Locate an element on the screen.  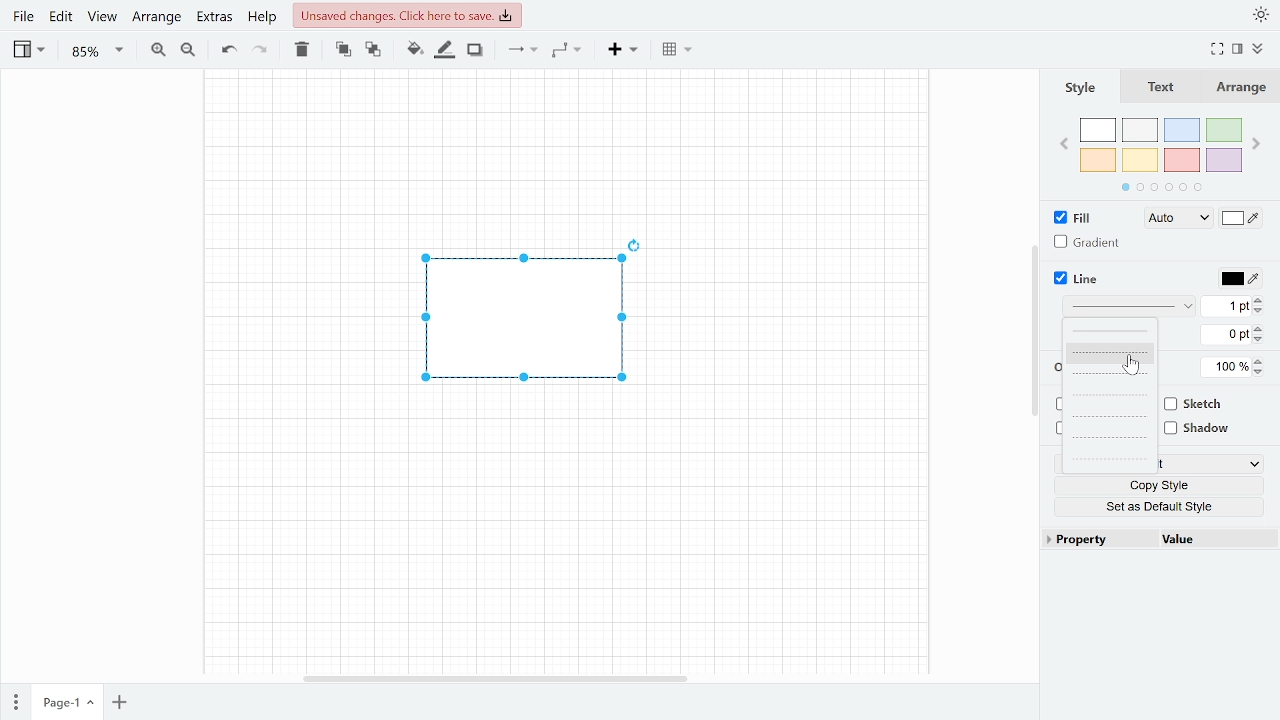
Extras is located at coordinates (213, 19).